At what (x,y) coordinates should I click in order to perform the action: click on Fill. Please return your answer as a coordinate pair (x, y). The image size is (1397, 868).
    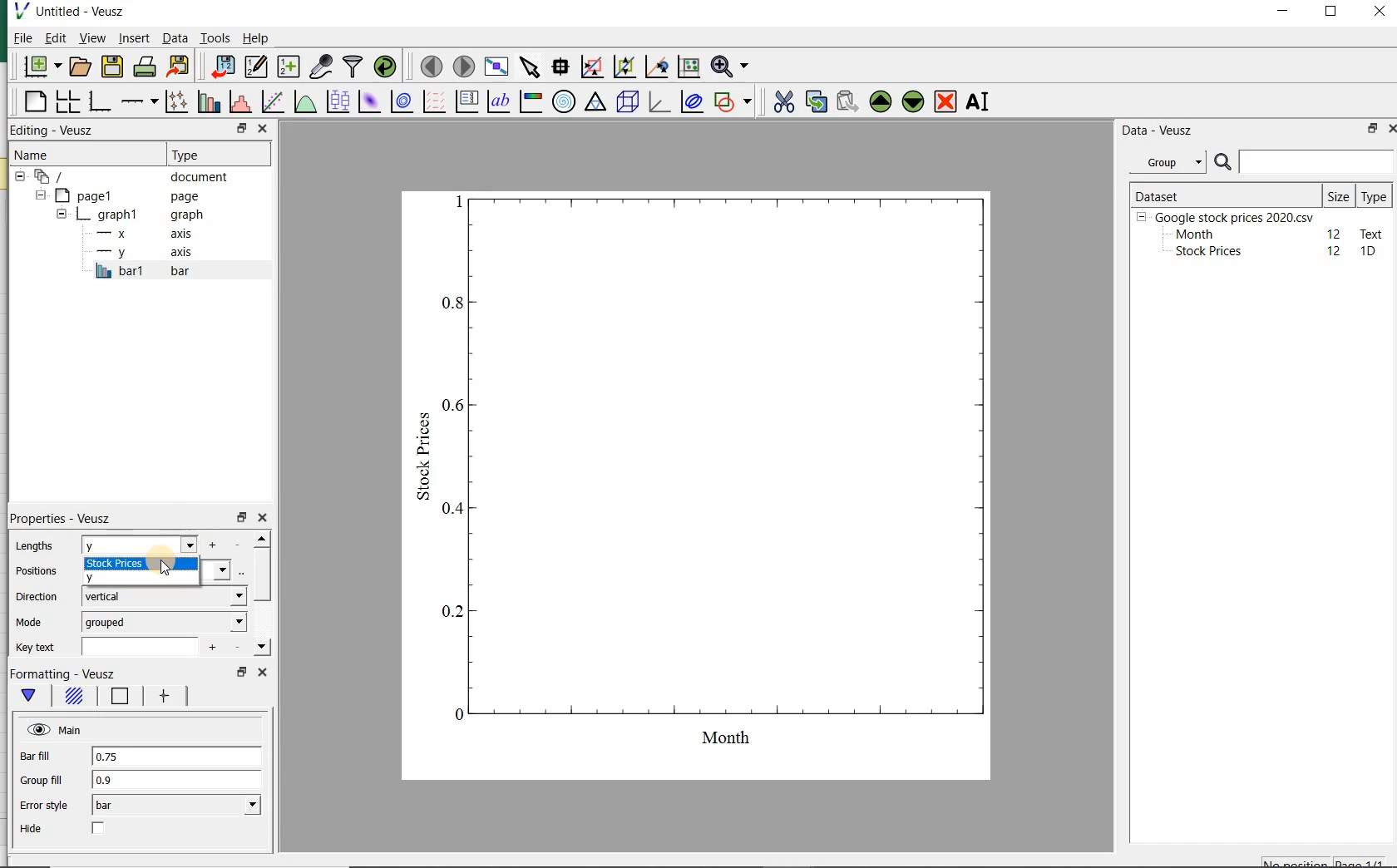
    Looking at the image, I should click on (76, 697).